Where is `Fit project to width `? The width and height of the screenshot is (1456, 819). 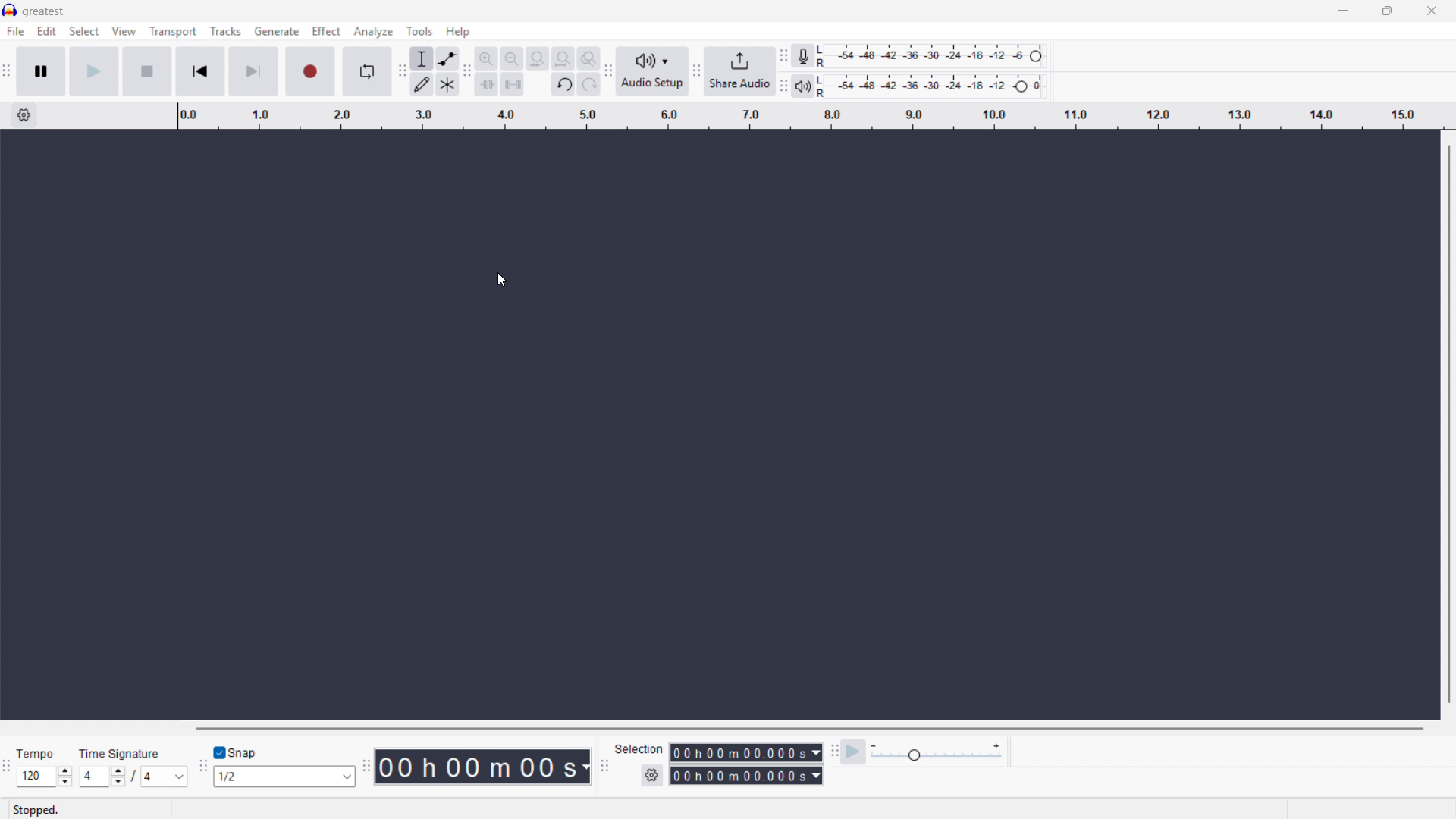 Fit project to width  is located at coordinates (564, 58).